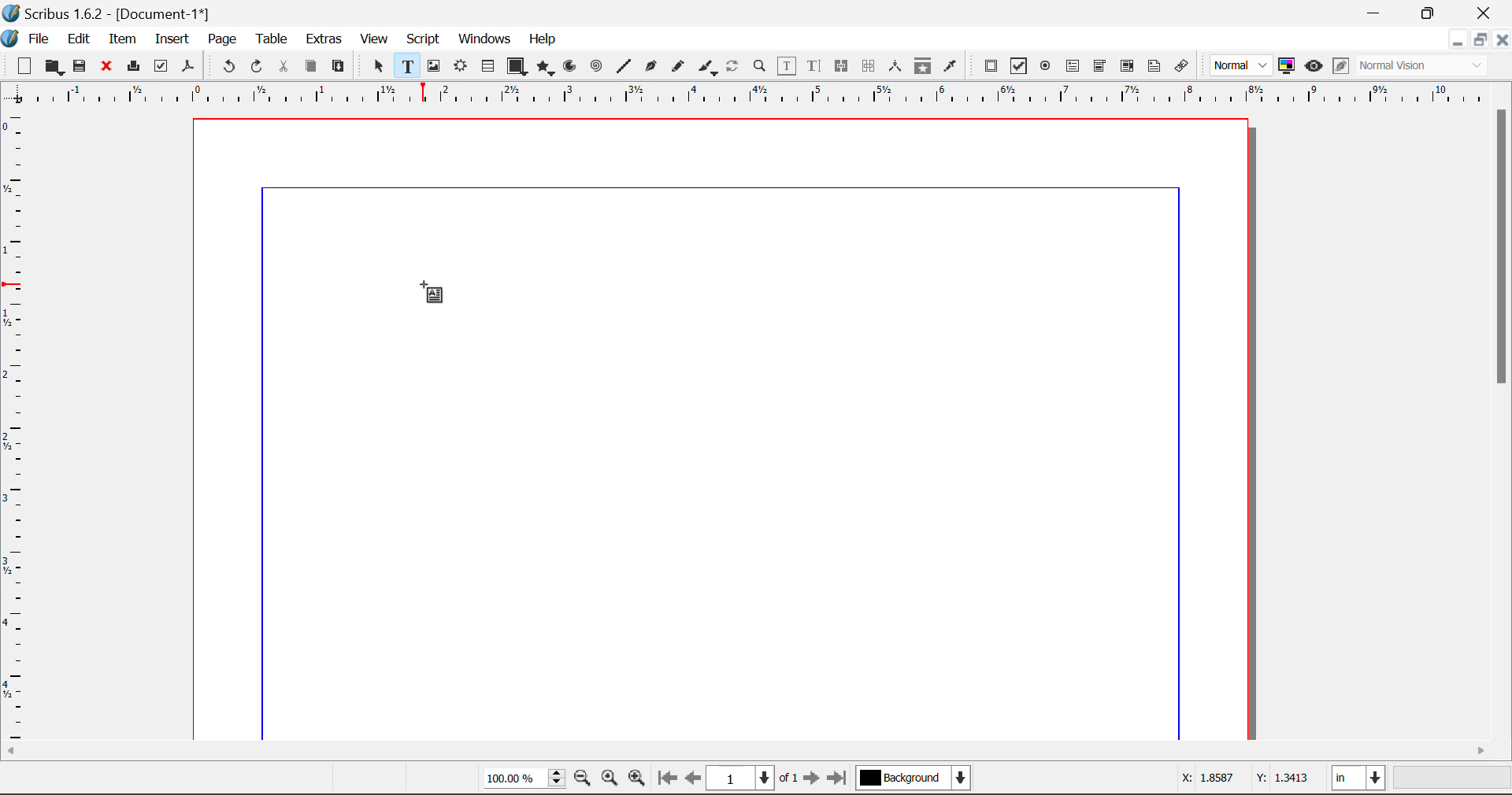 The height and width of the screenshot is (795, 1512). I want to click on Insert, so click(171, 39).